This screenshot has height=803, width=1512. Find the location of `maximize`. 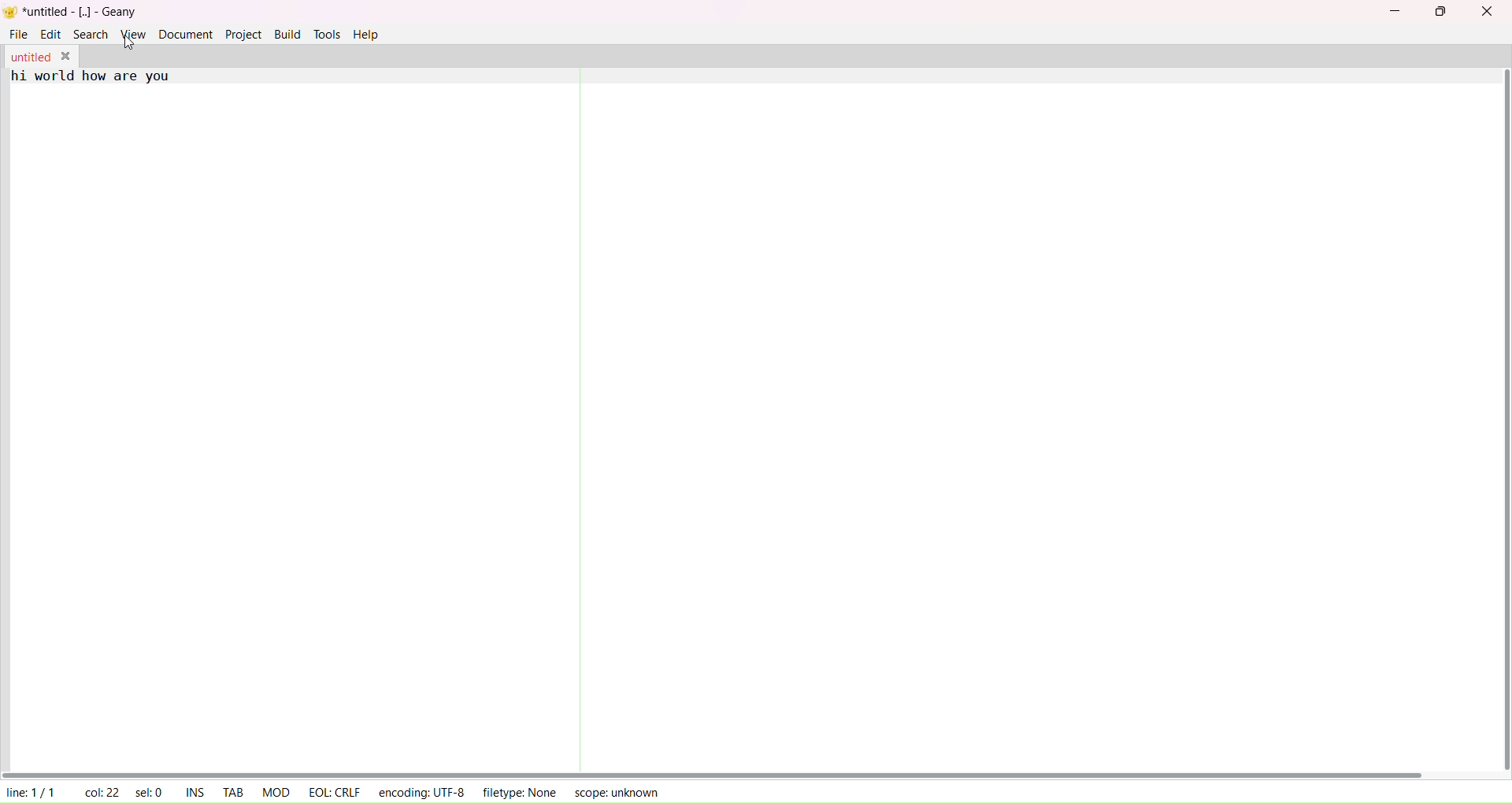

maximize is located at coordinates (1442, 12).